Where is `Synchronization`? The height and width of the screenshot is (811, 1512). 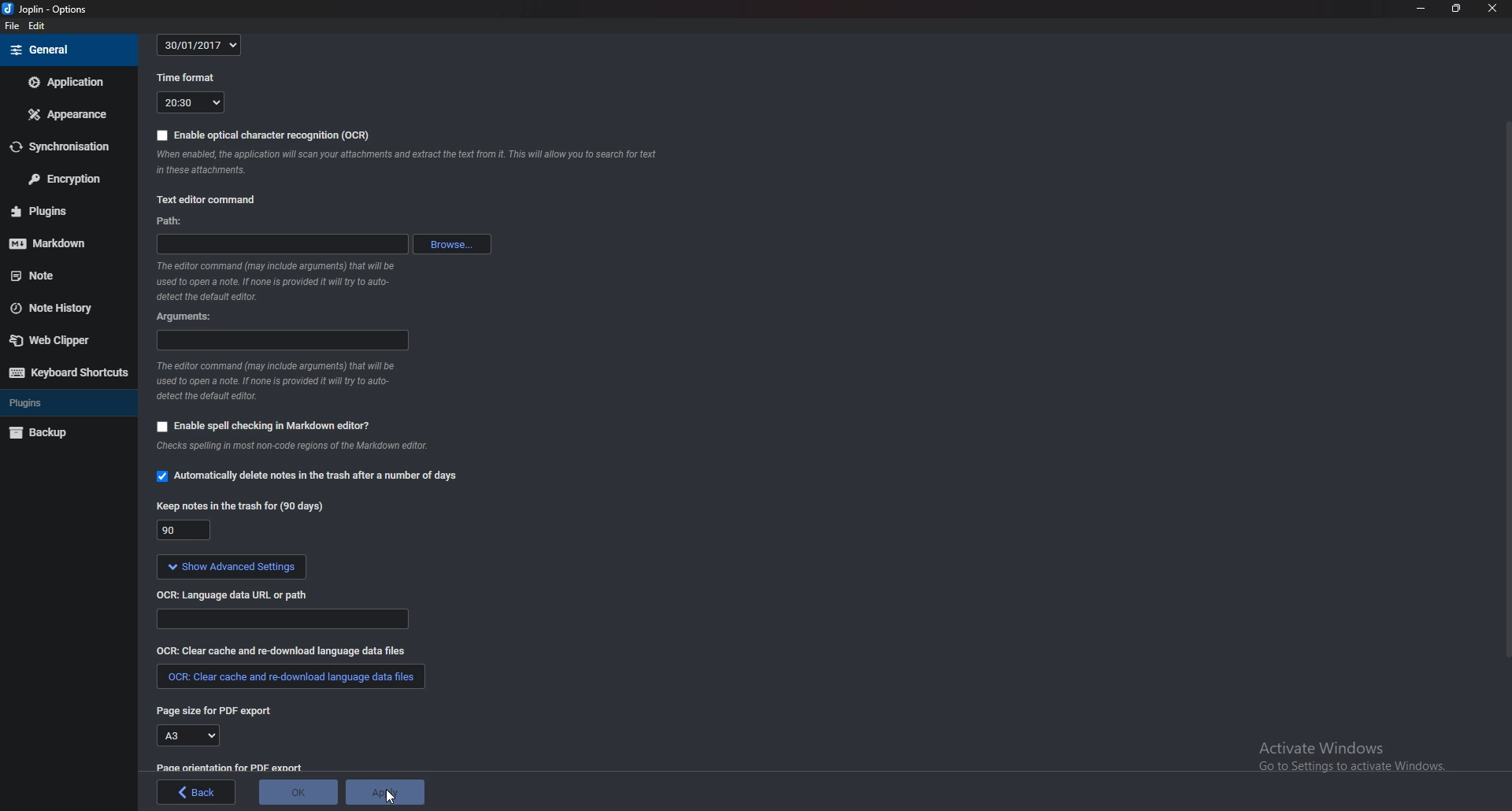
Synchronization is located at coordinates (66, 146).